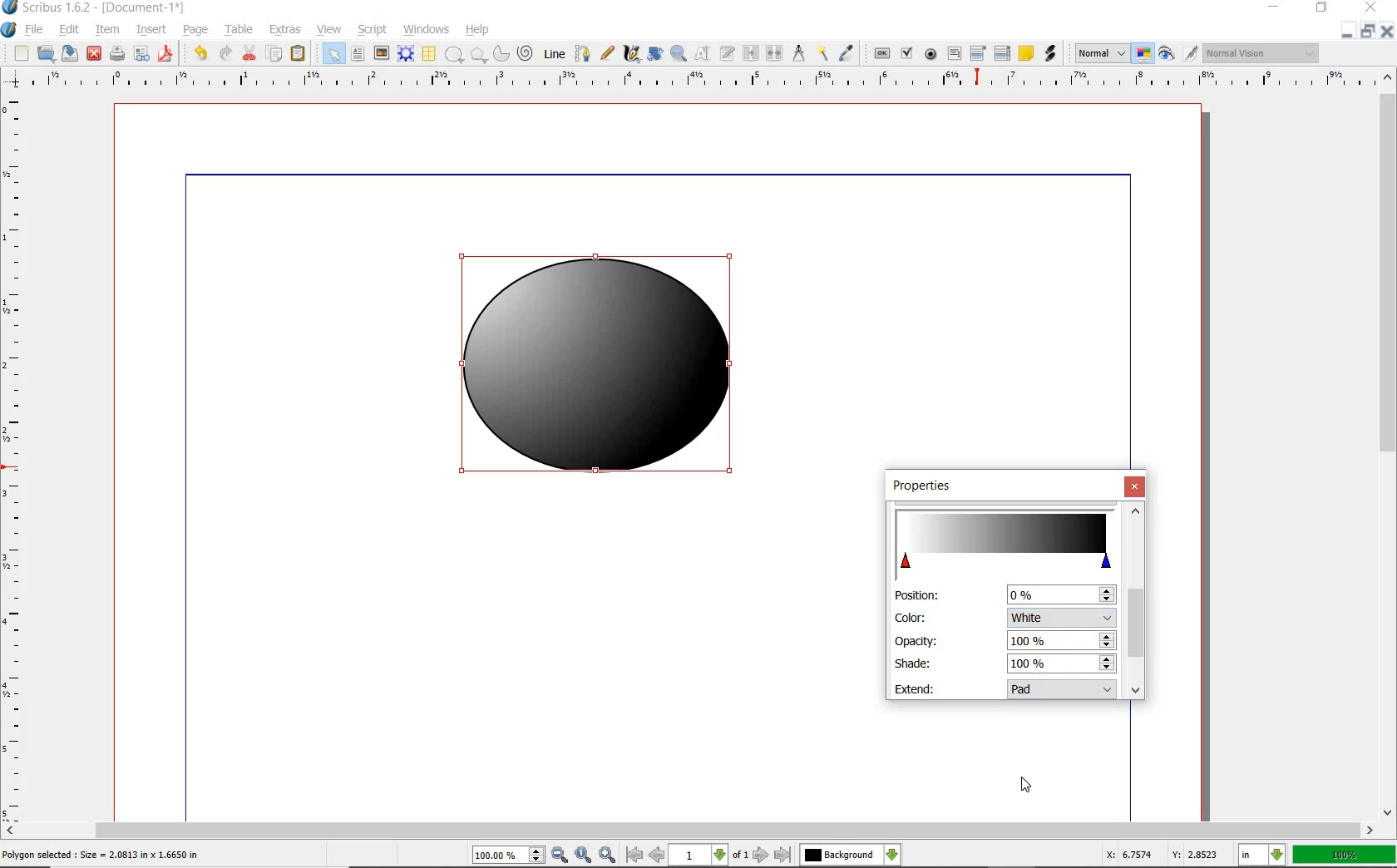  What do you see at coordinates (913, 663) in the screenshot?
I see `shade` at bounding box center [913, 663].